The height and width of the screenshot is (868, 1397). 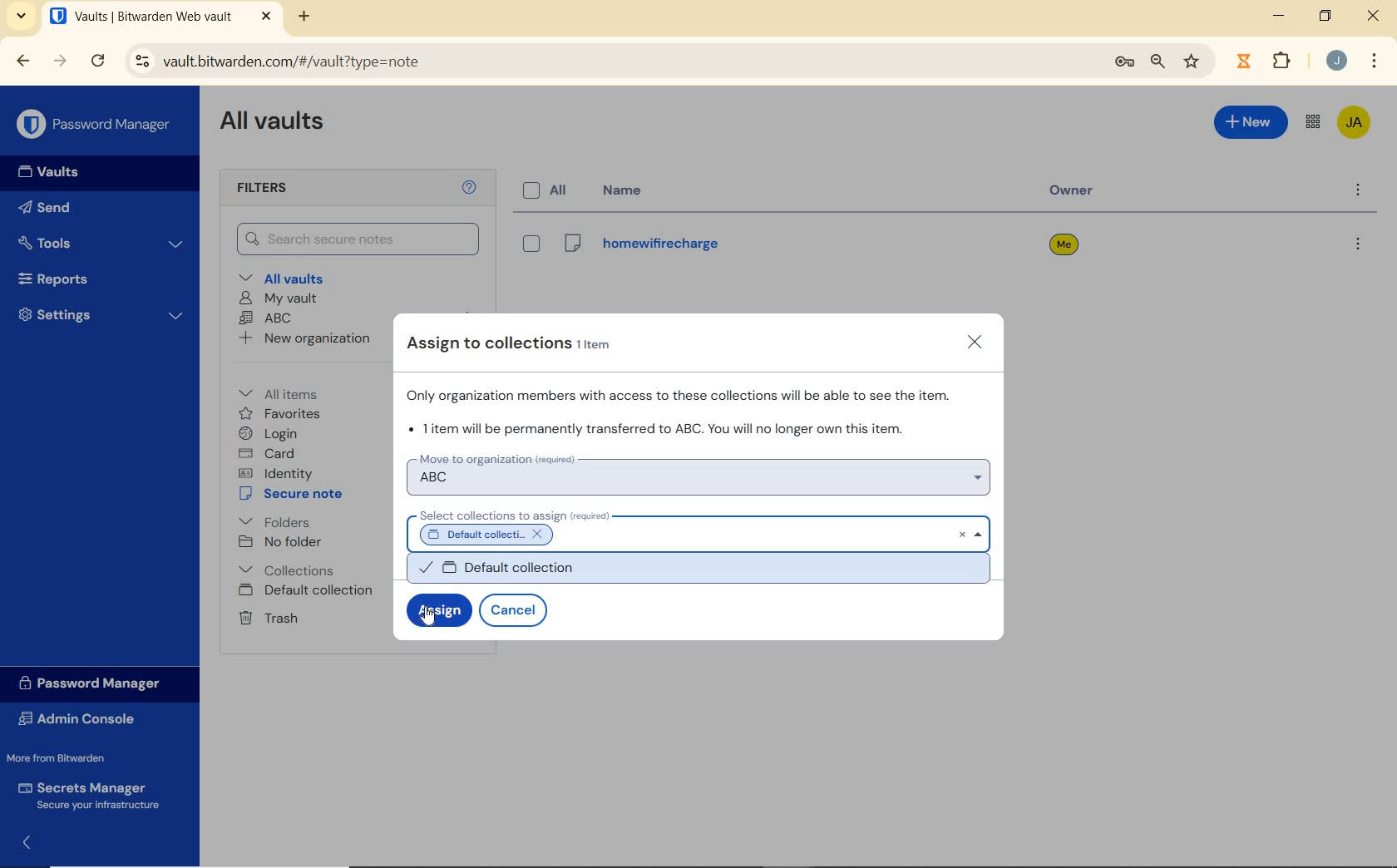 What do you see at coordinates (501, 533) in the screenshot?
I see `collection added` at bounding box center [501, 533].